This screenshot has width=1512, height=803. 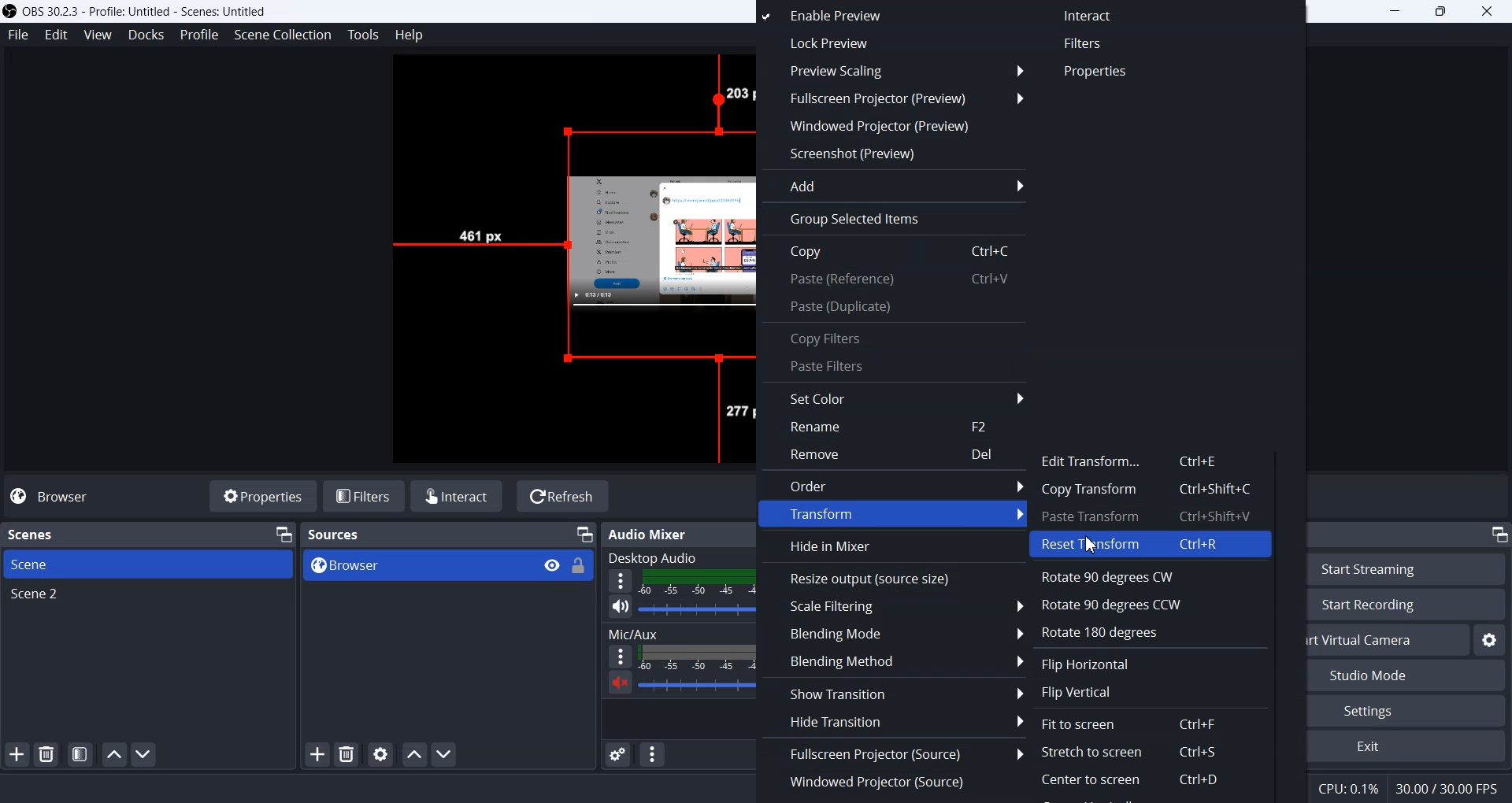 I want to click on More, so click(x=615, y=656).